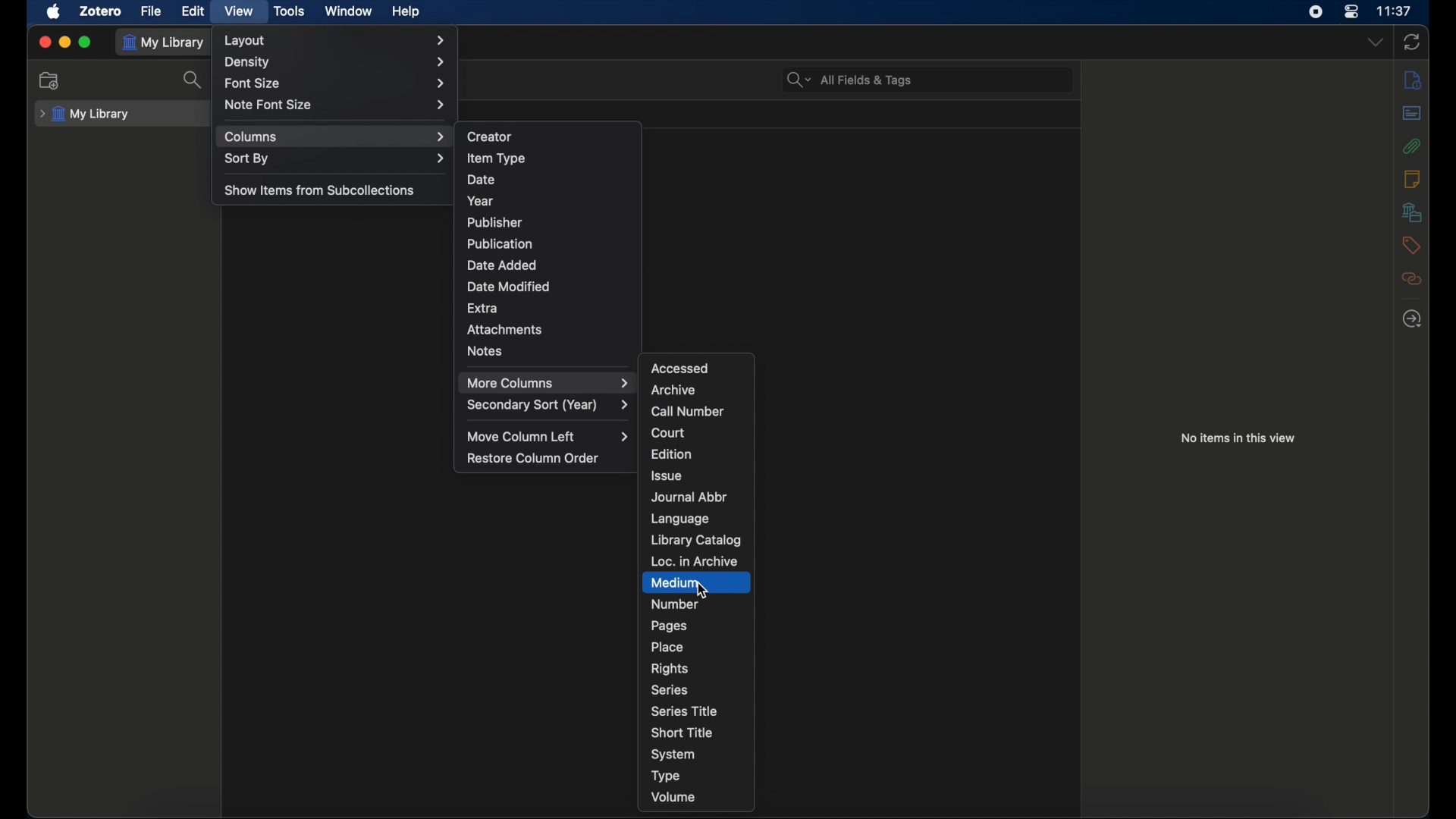 This screenshot has width=1456, height=819. I want to click on date added, so click(502, 265).